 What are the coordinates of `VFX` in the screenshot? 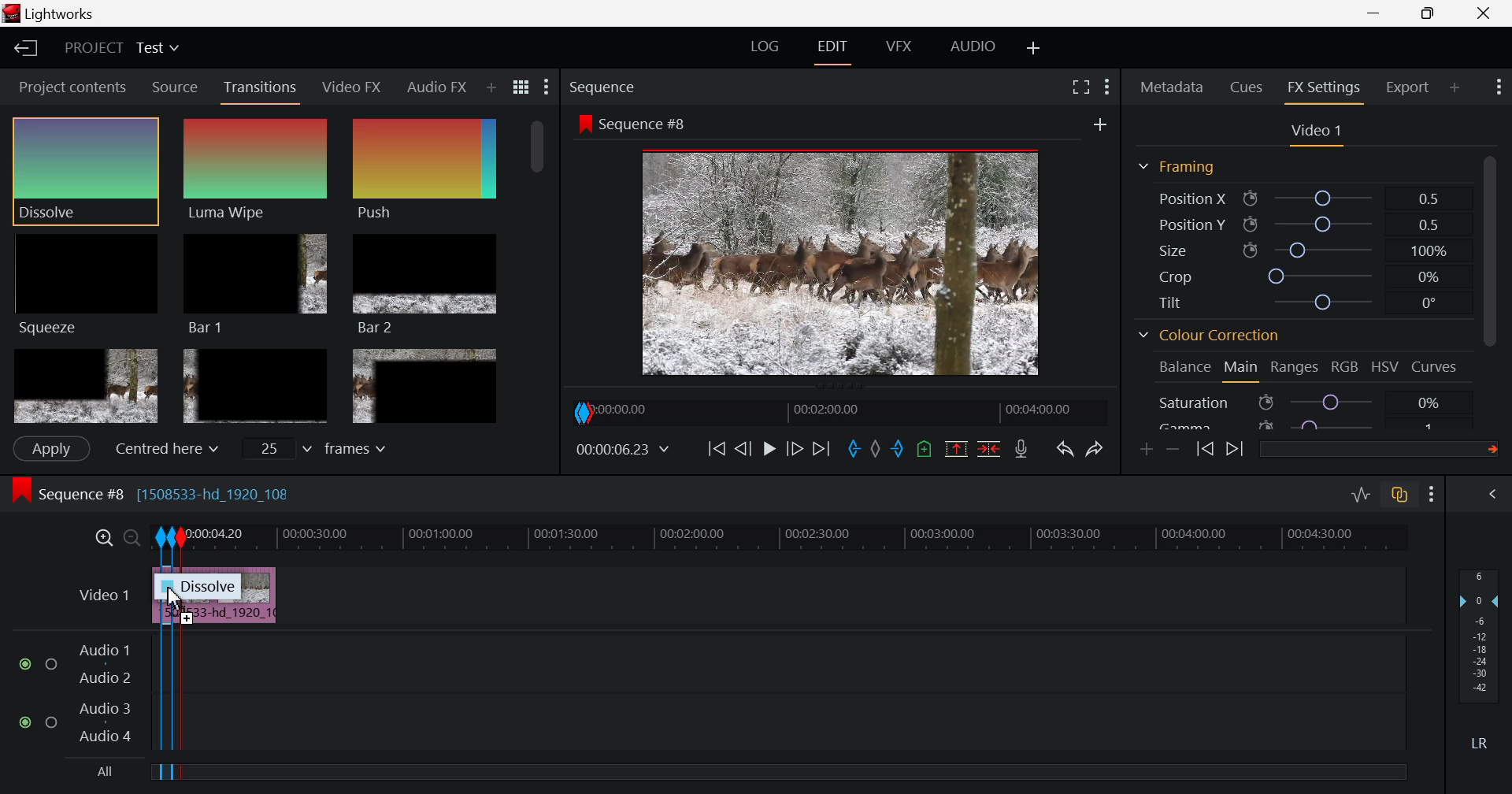 It's located at (899, 46).